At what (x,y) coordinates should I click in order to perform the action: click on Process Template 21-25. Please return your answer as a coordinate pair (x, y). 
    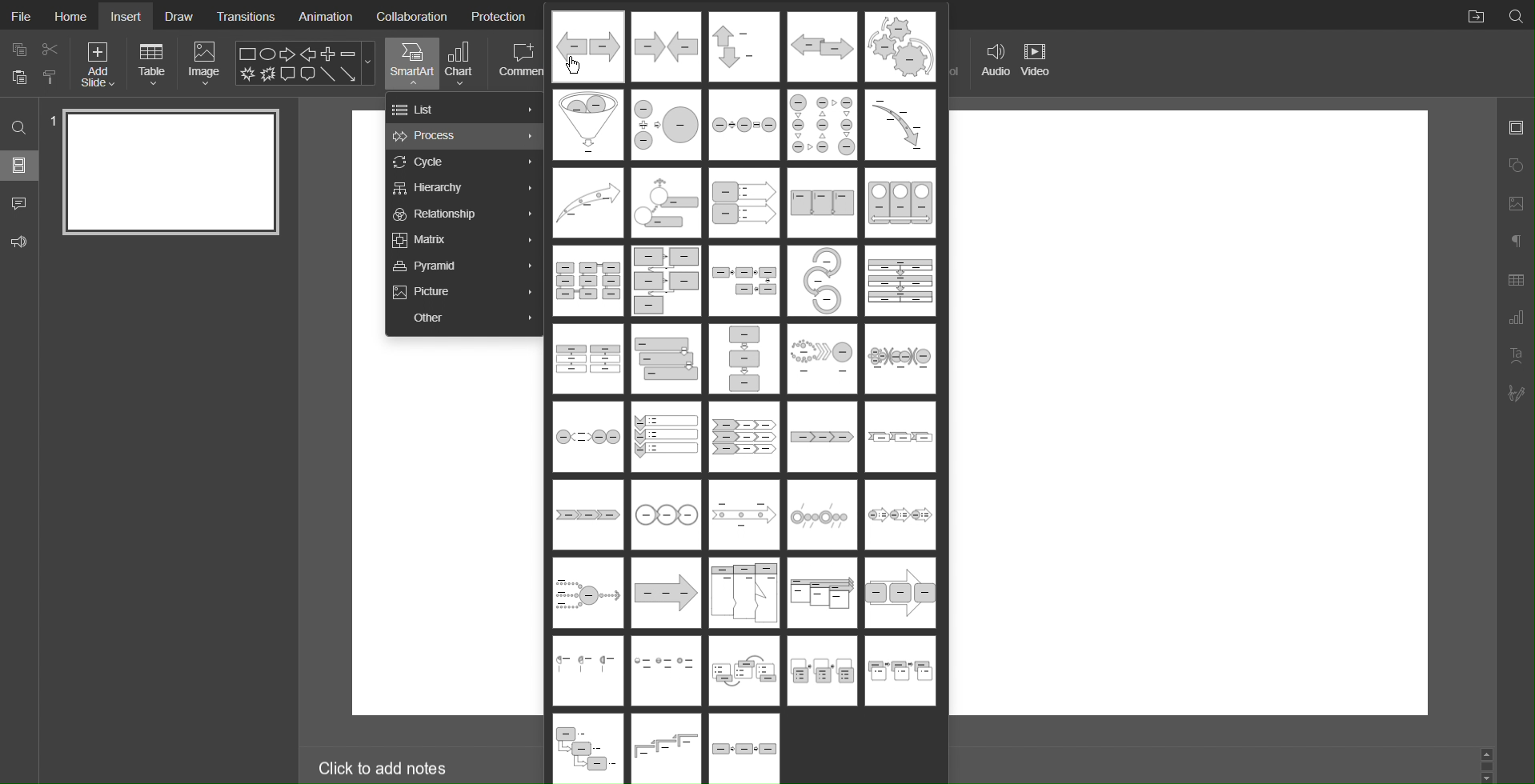
    Looking at the image, I should click on (742, 362).